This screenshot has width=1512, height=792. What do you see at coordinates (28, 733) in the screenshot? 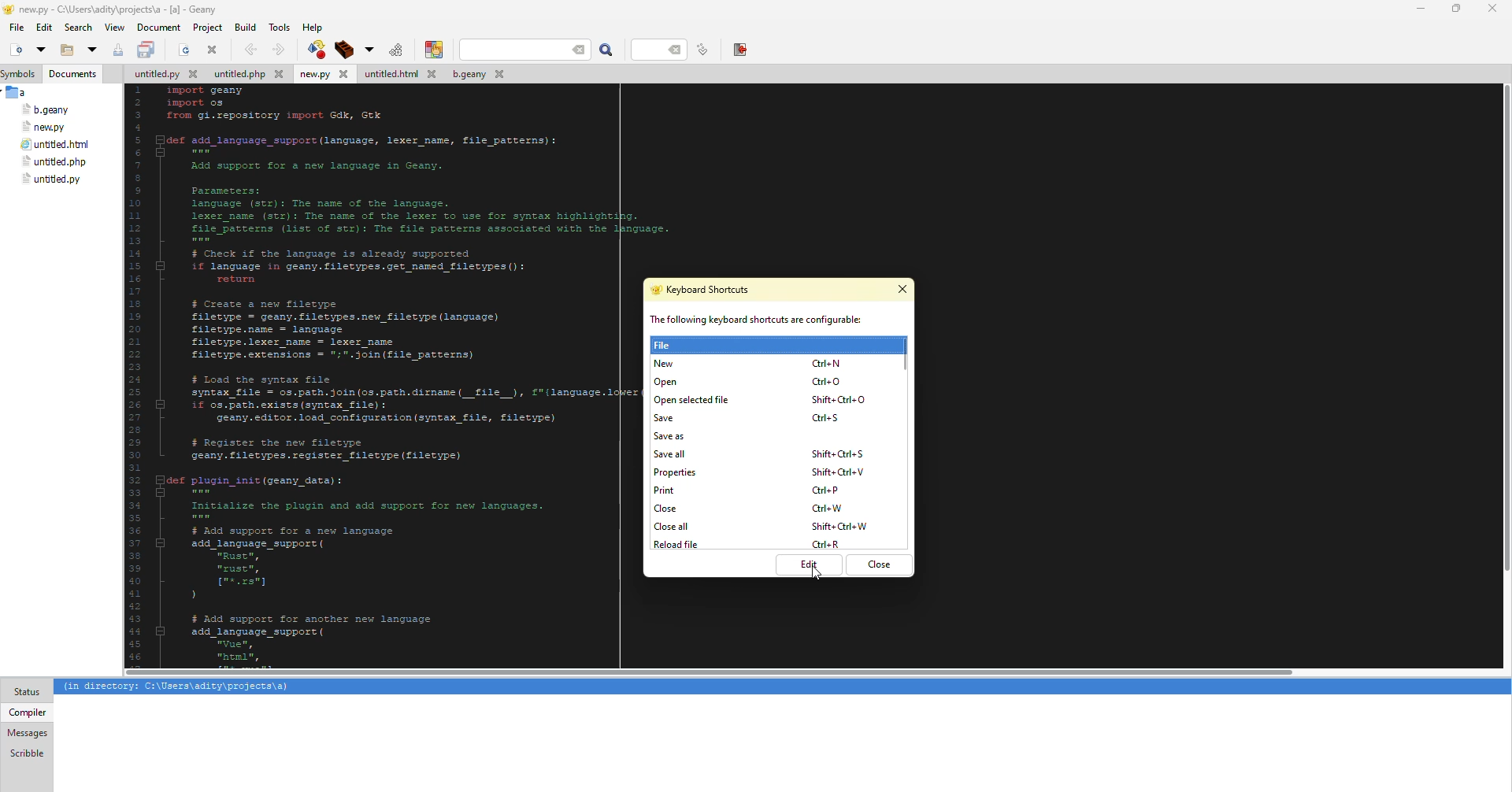
I see `messages` at bounding box center [28, 733].